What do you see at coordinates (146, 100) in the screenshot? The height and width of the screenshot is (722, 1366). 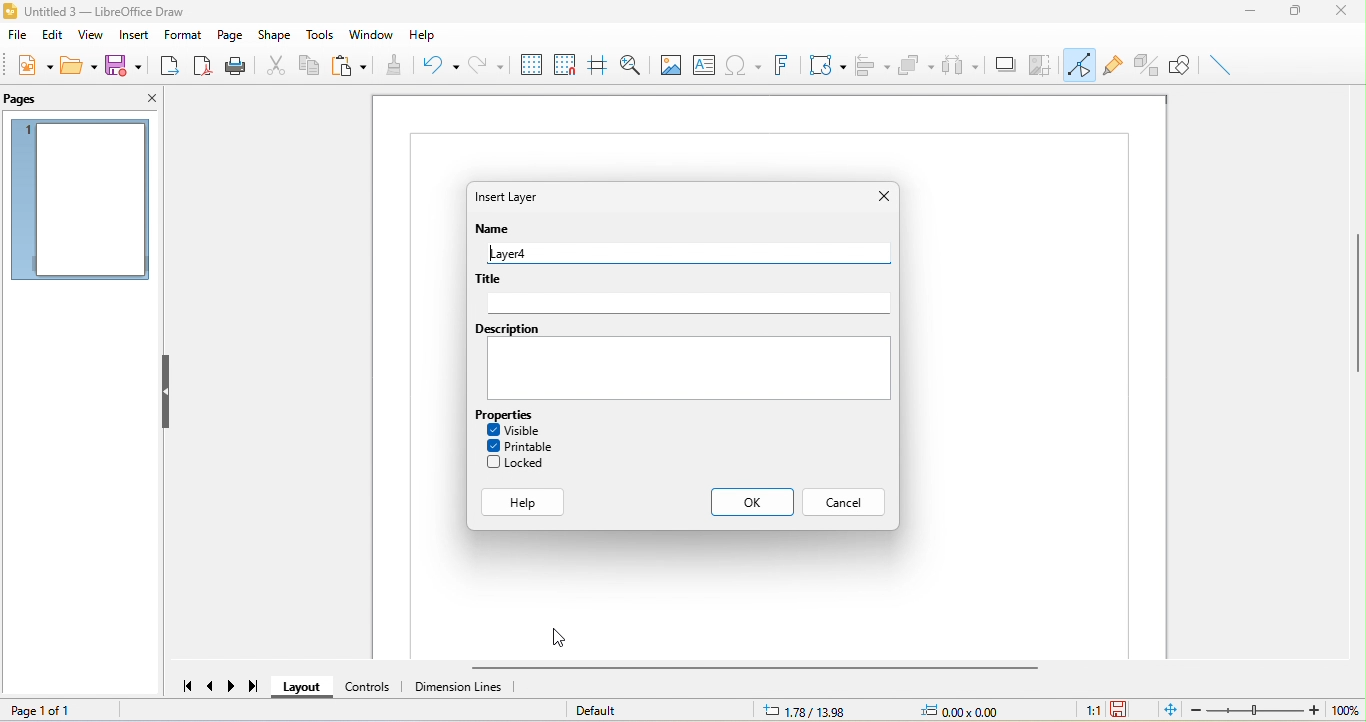 I see `close` at bounding box center [146, 100].